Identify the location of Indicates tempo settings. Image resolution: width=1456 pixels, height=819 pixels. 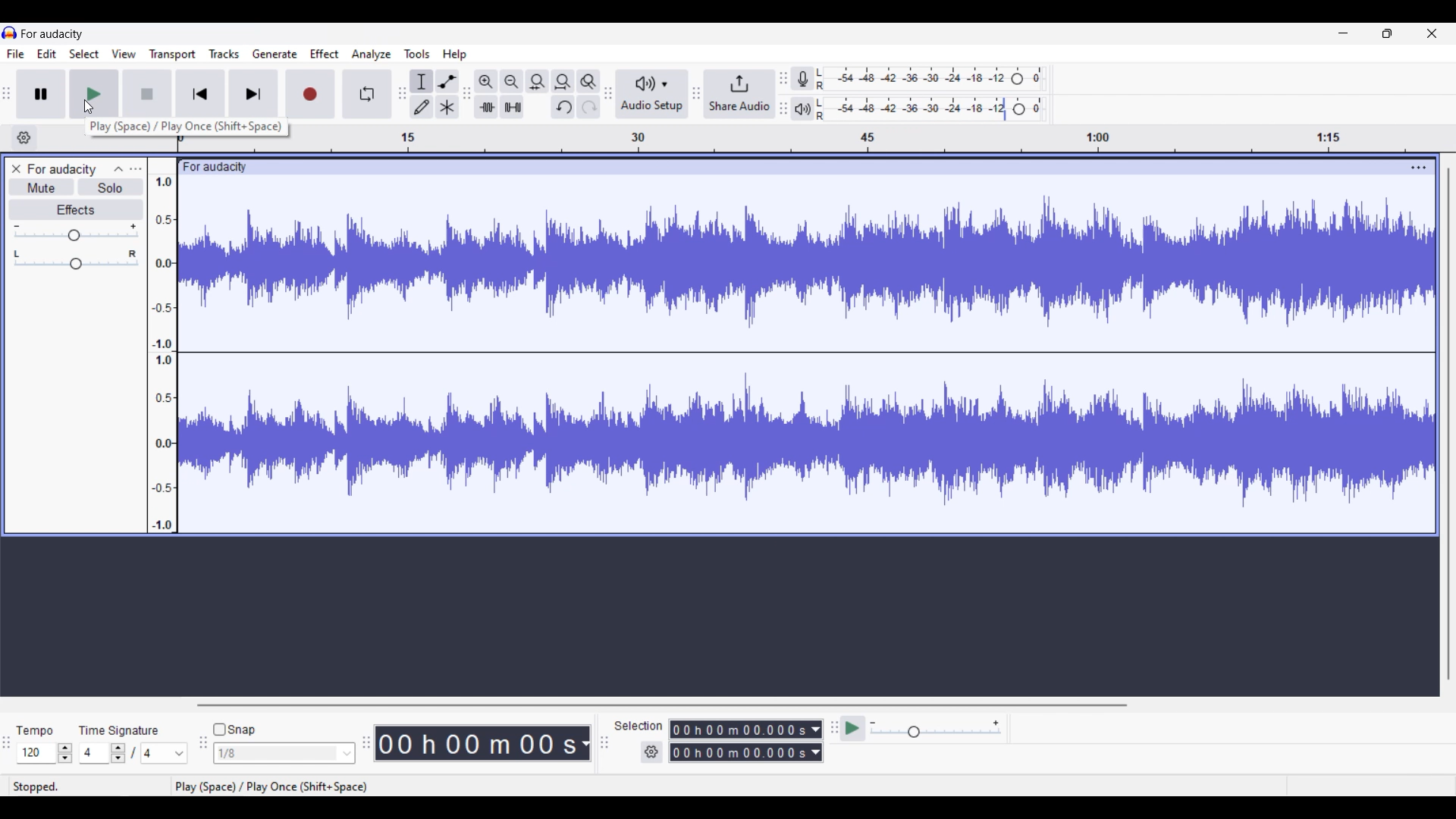
(35, 730).